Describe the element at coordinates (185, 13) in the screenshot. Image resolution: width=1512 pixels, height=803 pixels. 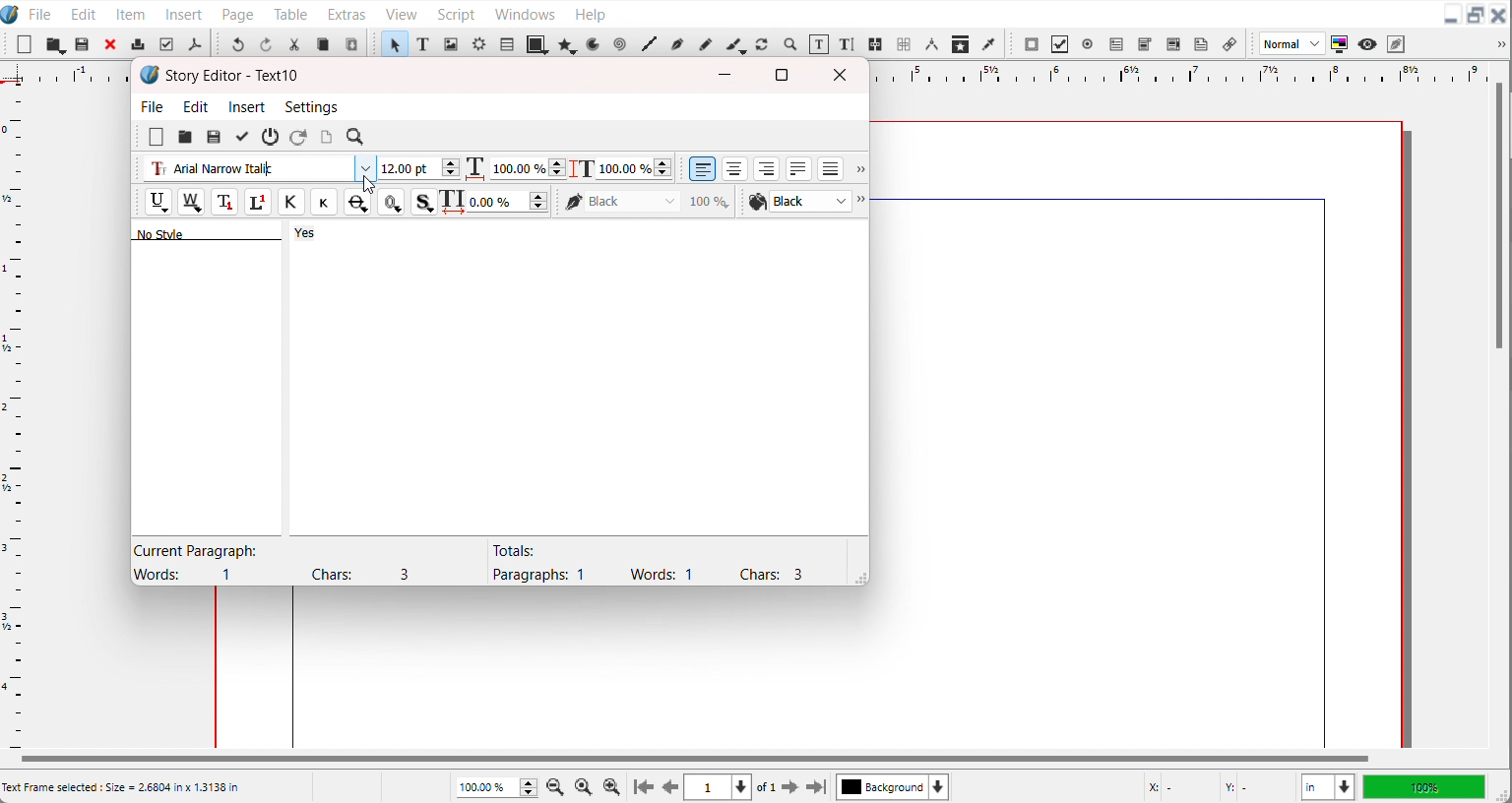
I see `Insert` at that location.